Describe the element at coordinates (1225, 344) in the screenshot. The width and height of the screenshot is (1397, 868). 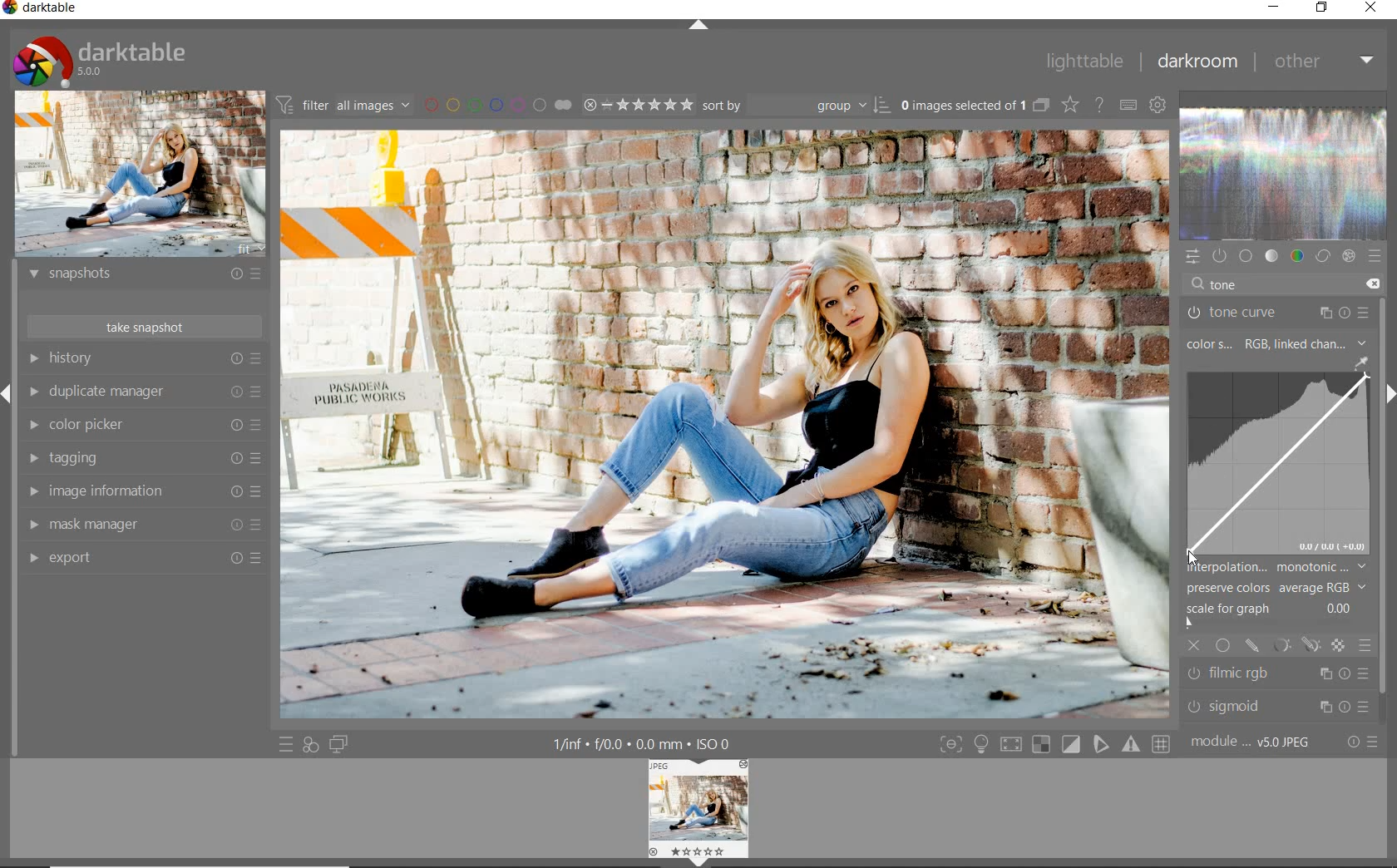
I see `color s.. RGB` at that location.